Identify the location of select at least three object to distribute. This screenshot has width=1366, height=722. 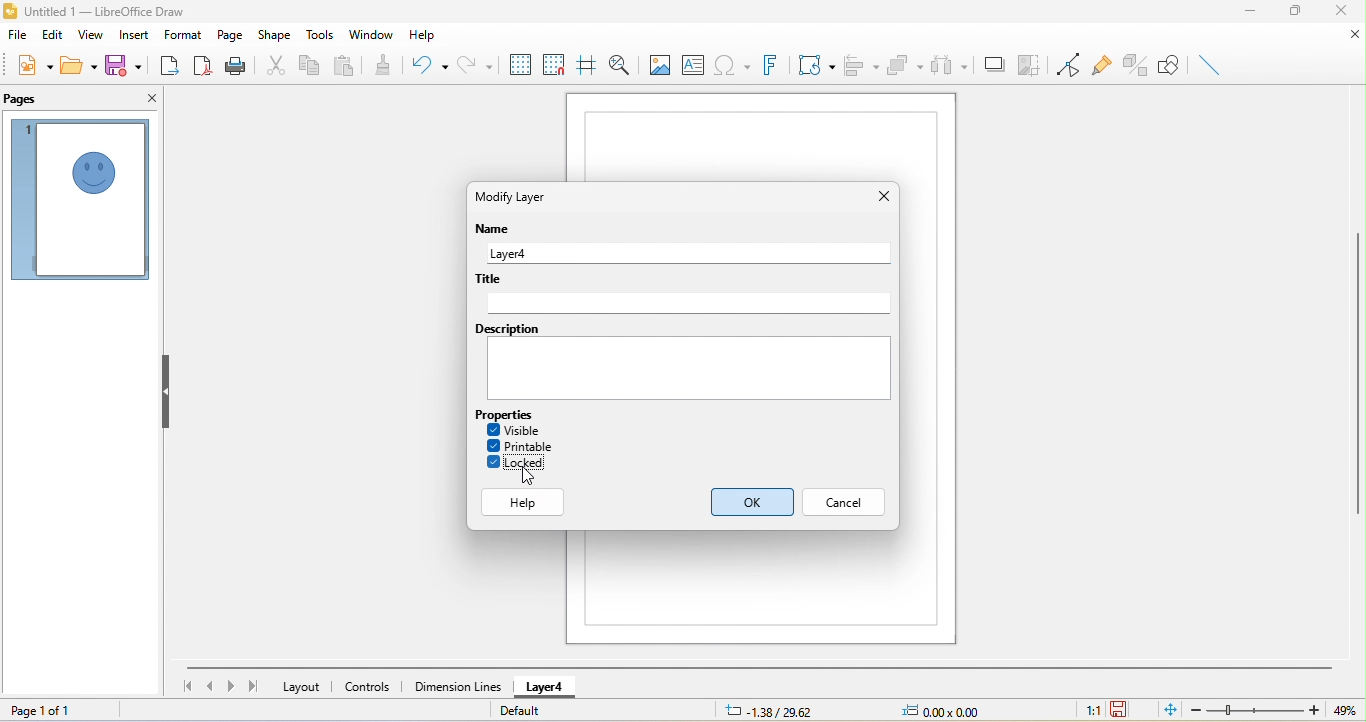
(949, 67).